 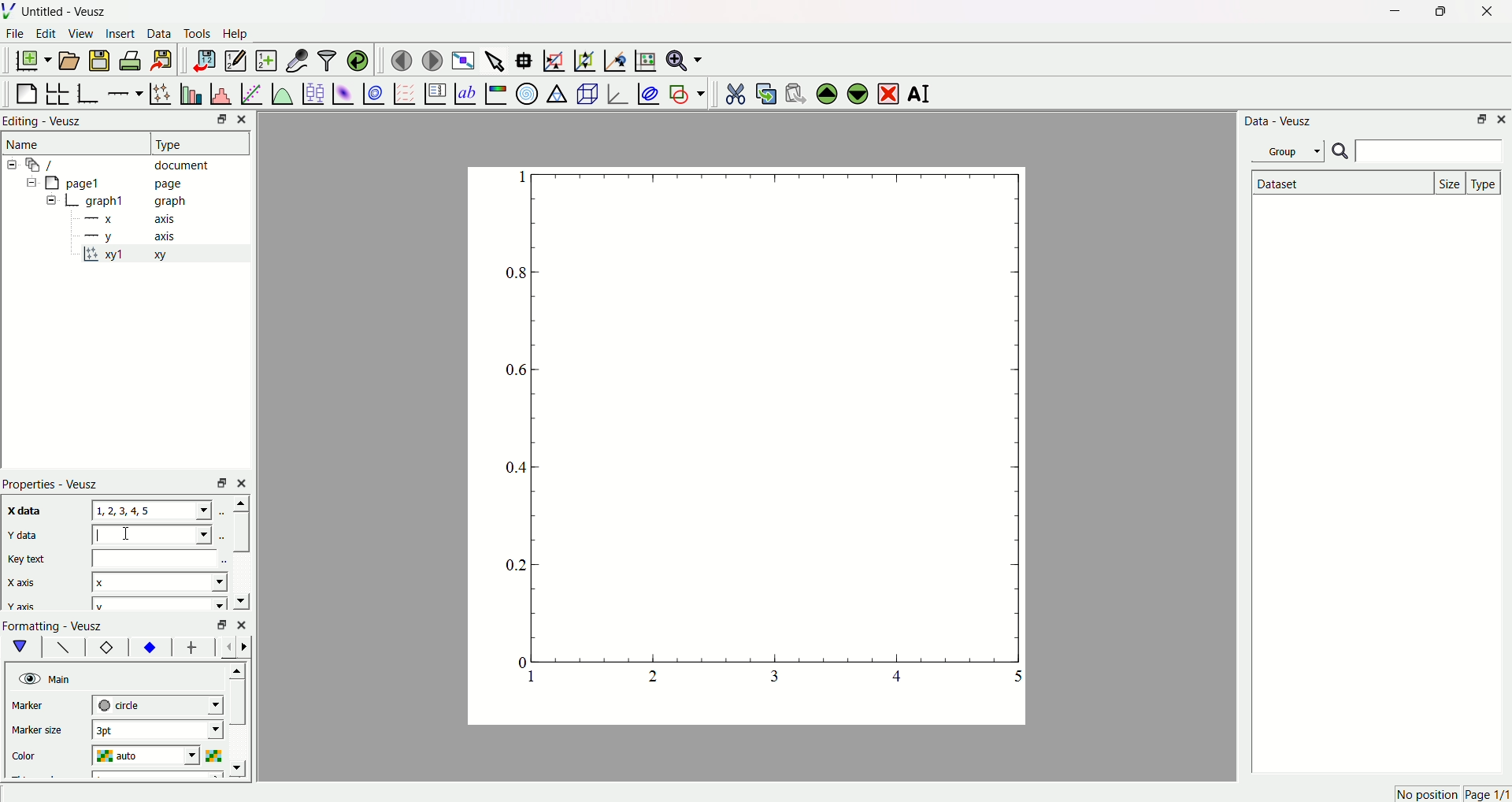 What do you see at coordinates (157, 558) in the screenshot?
I see `Key text field` at bounding box center [157, 558].